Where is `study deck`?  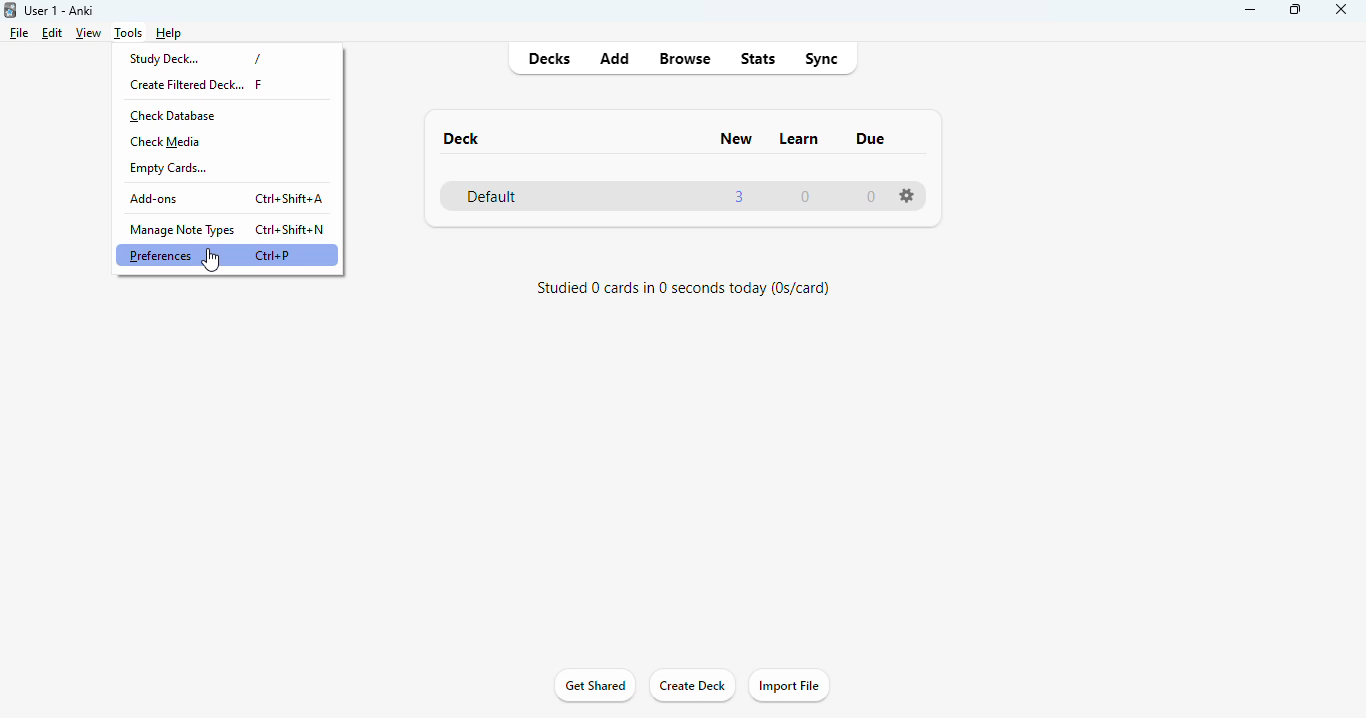 study deck is located at coordinates (165, 58).